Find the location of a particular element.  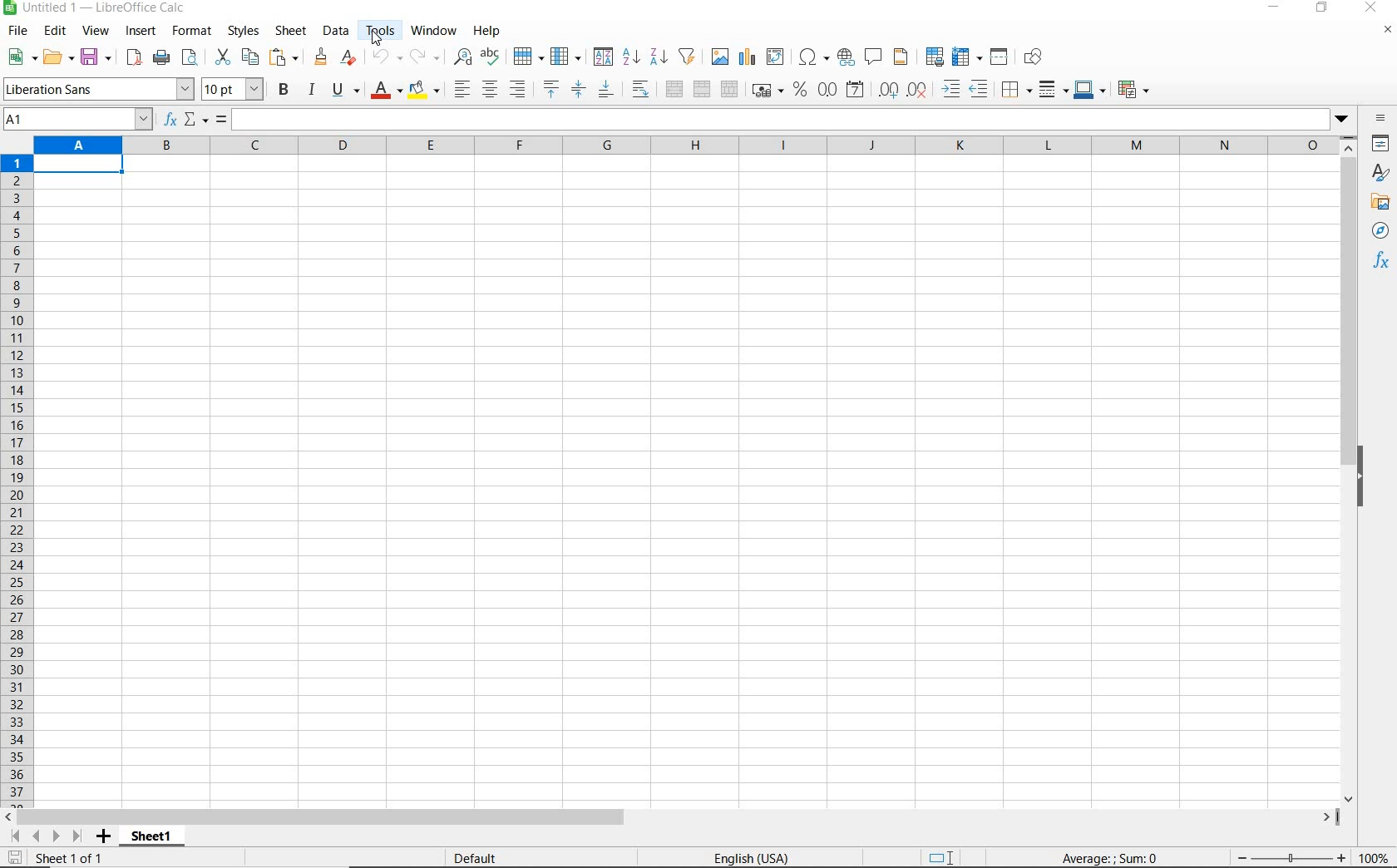

NAME BOX is located at coordinates (78, 118).